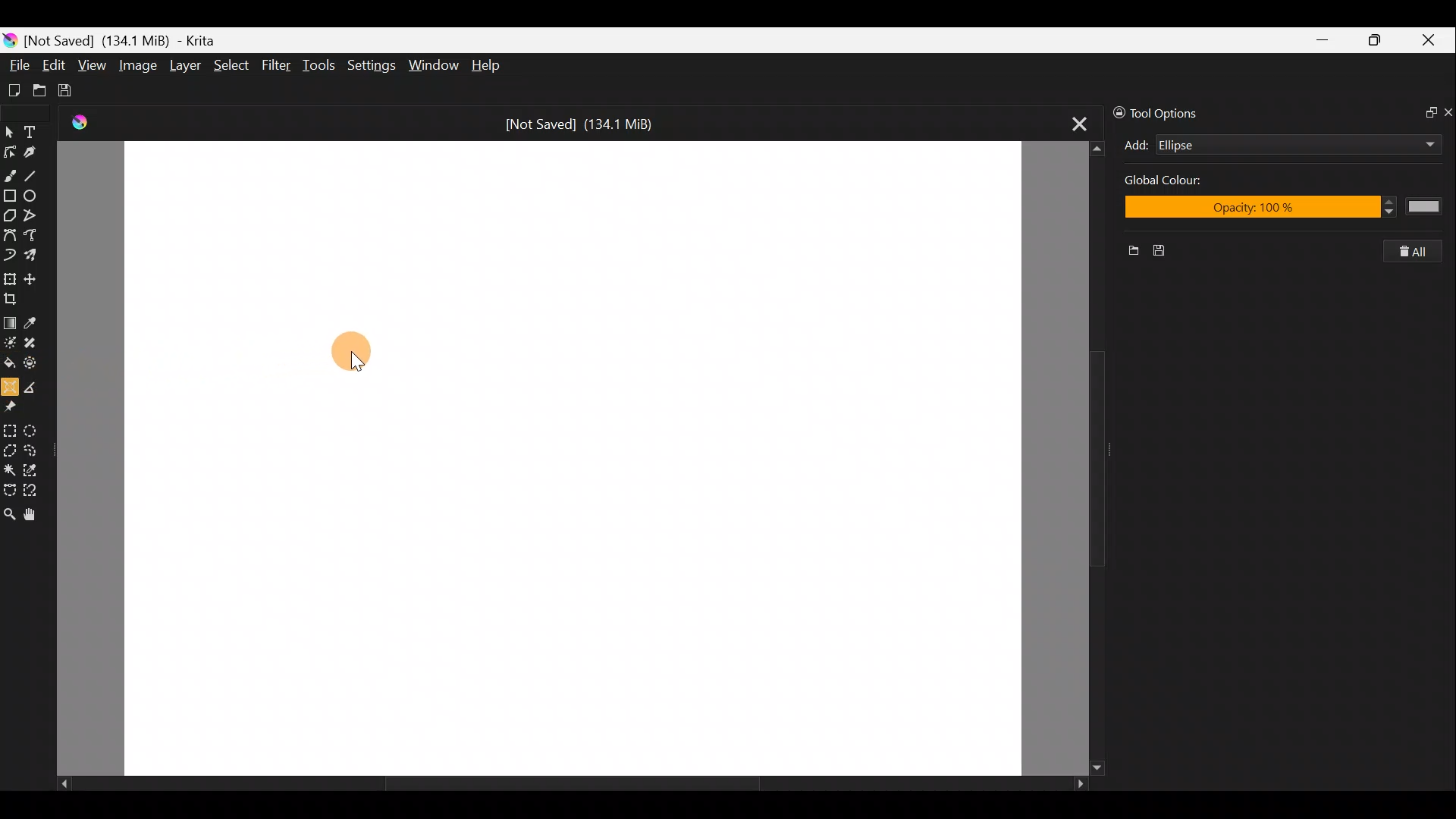  What do you see at coordinates (231, 69) in the screenshot?
I see `Select` at bounding box center [231, 69].